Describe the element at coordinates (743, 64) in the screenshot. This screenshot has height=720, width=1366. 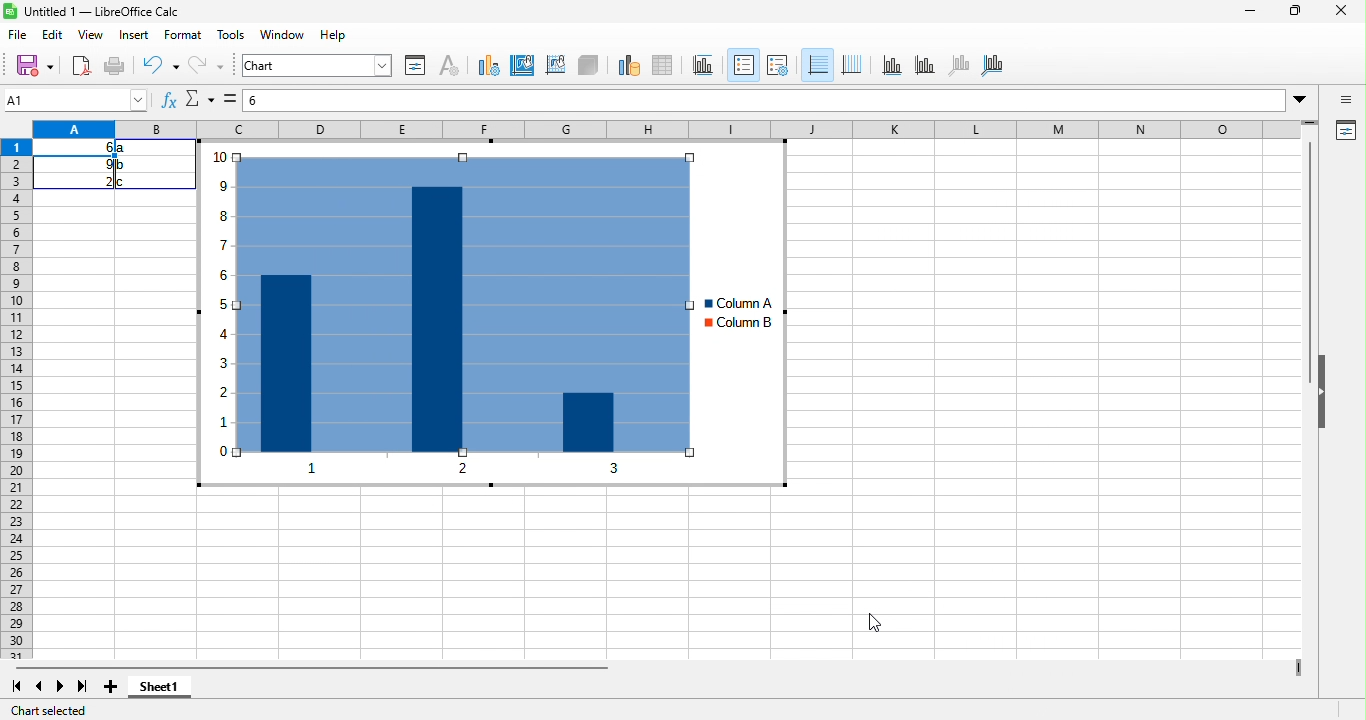
I see `legend` at that location.